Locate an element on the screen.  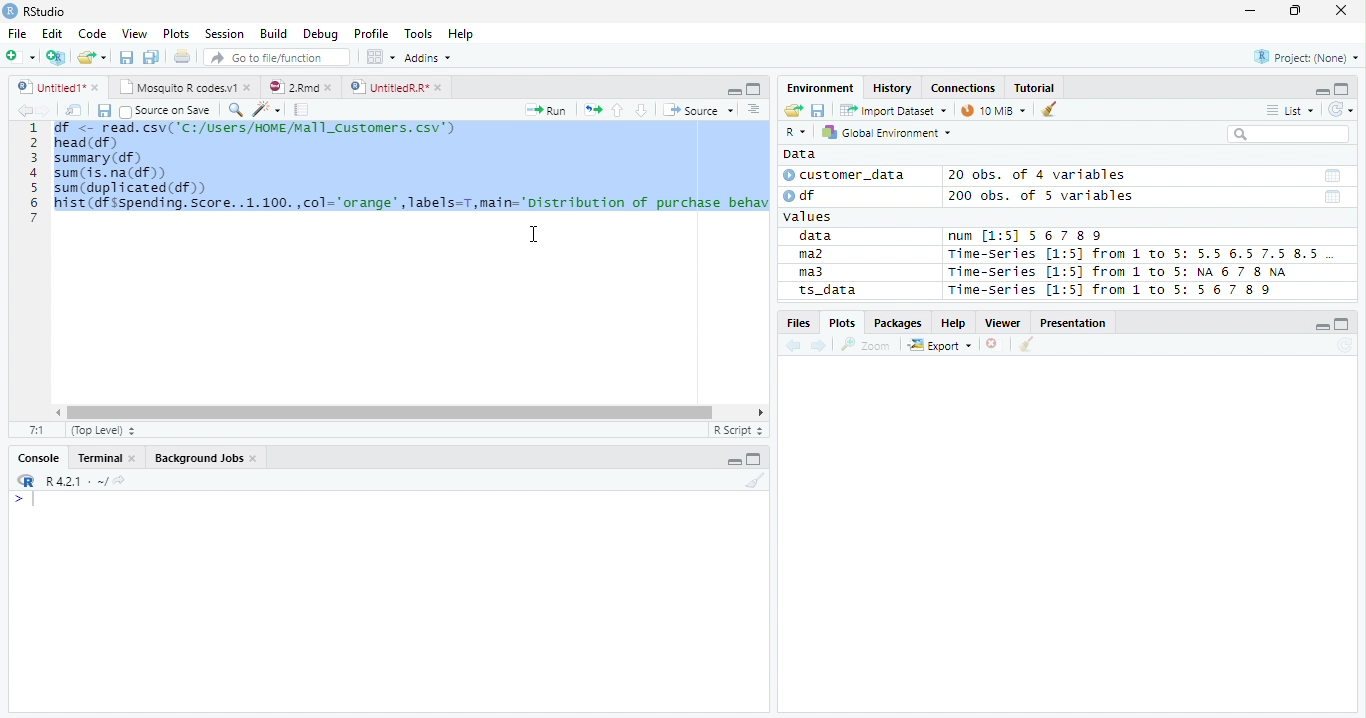
New File is located at coordinates (21, 56).